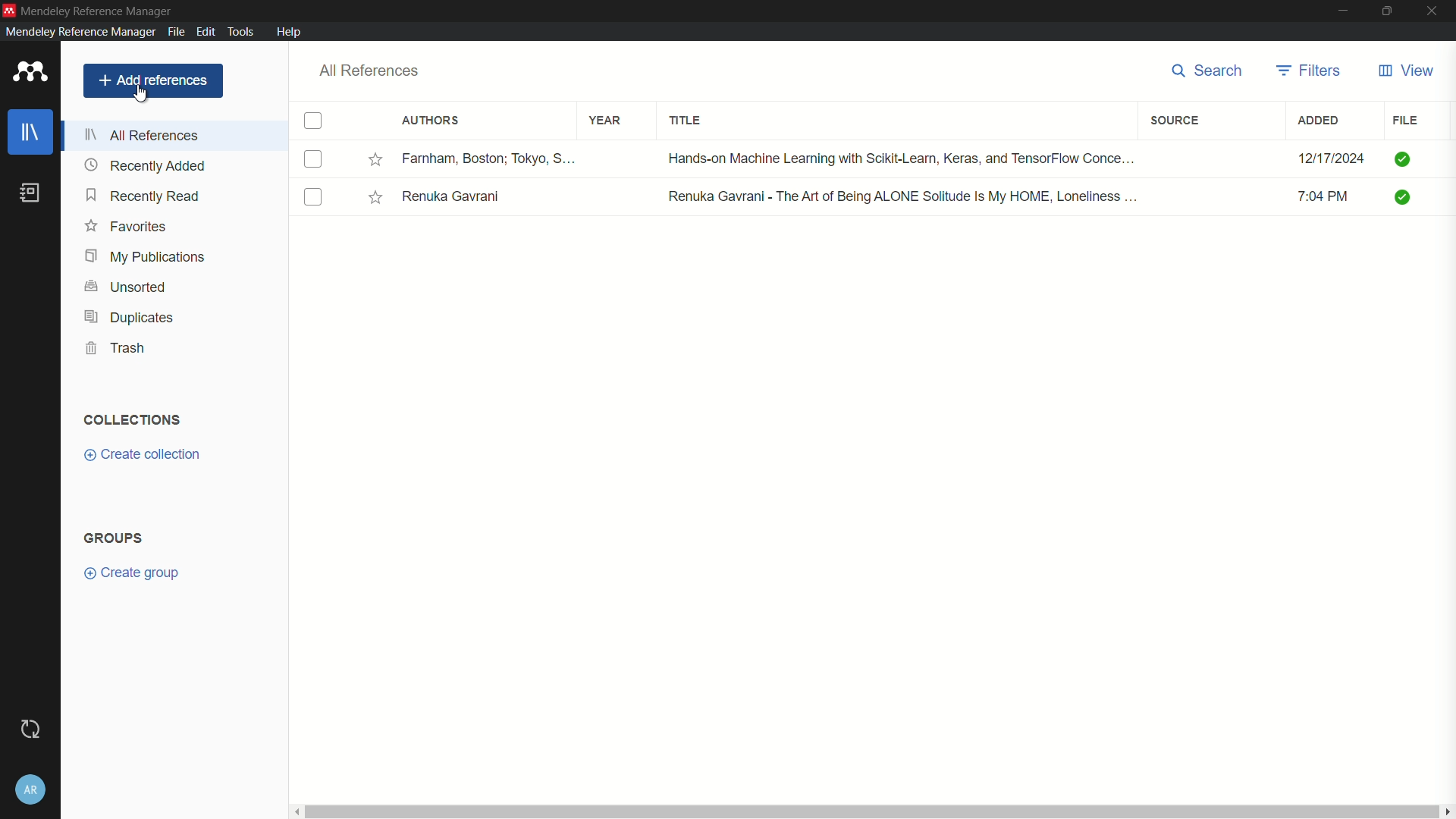 Image resolution: width=1456 pixels, height=819 pixels. I want to click on title, so click(689, 123).